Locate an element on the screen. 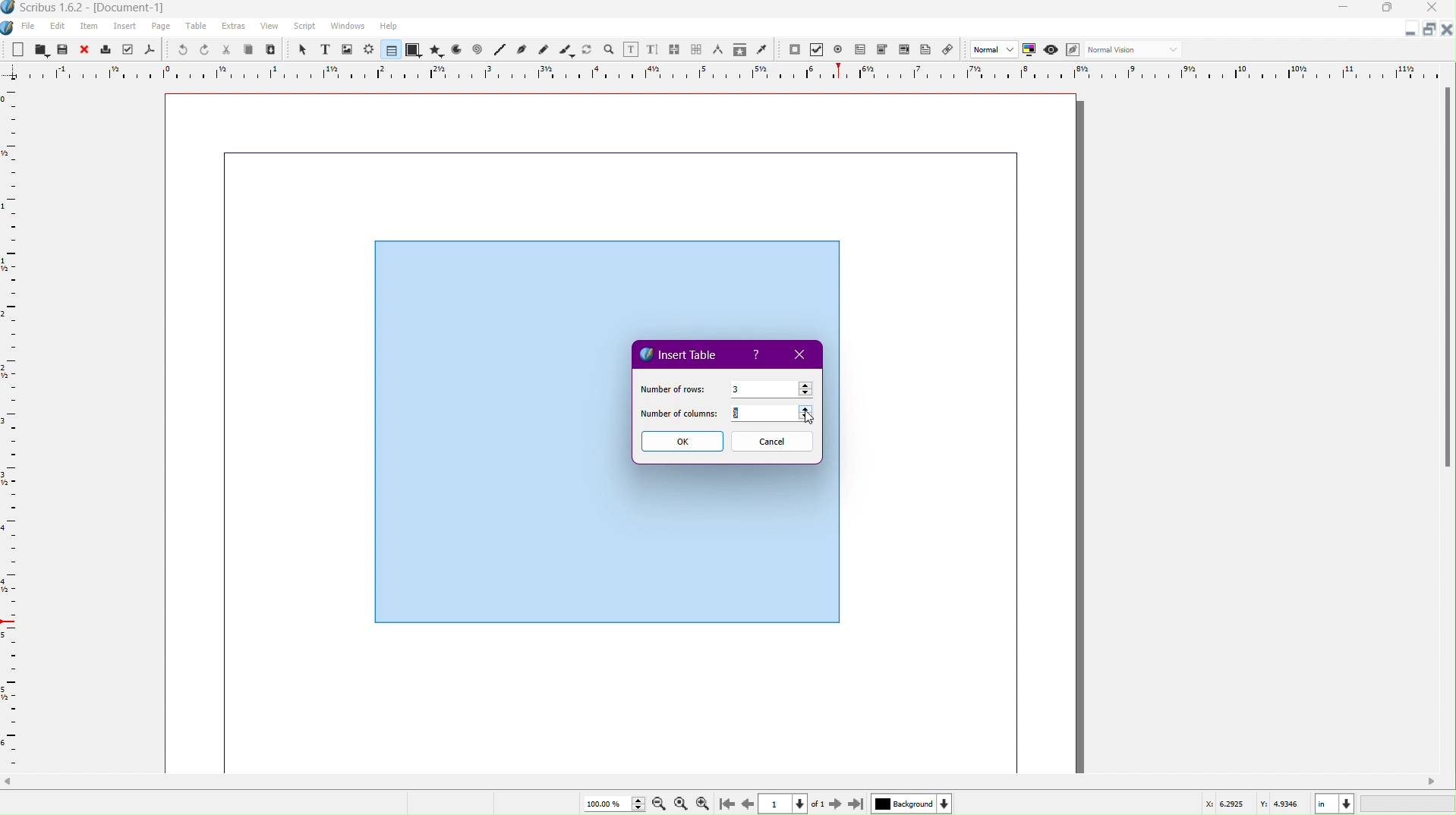  Zoom In is located at coordinates (706, 803).